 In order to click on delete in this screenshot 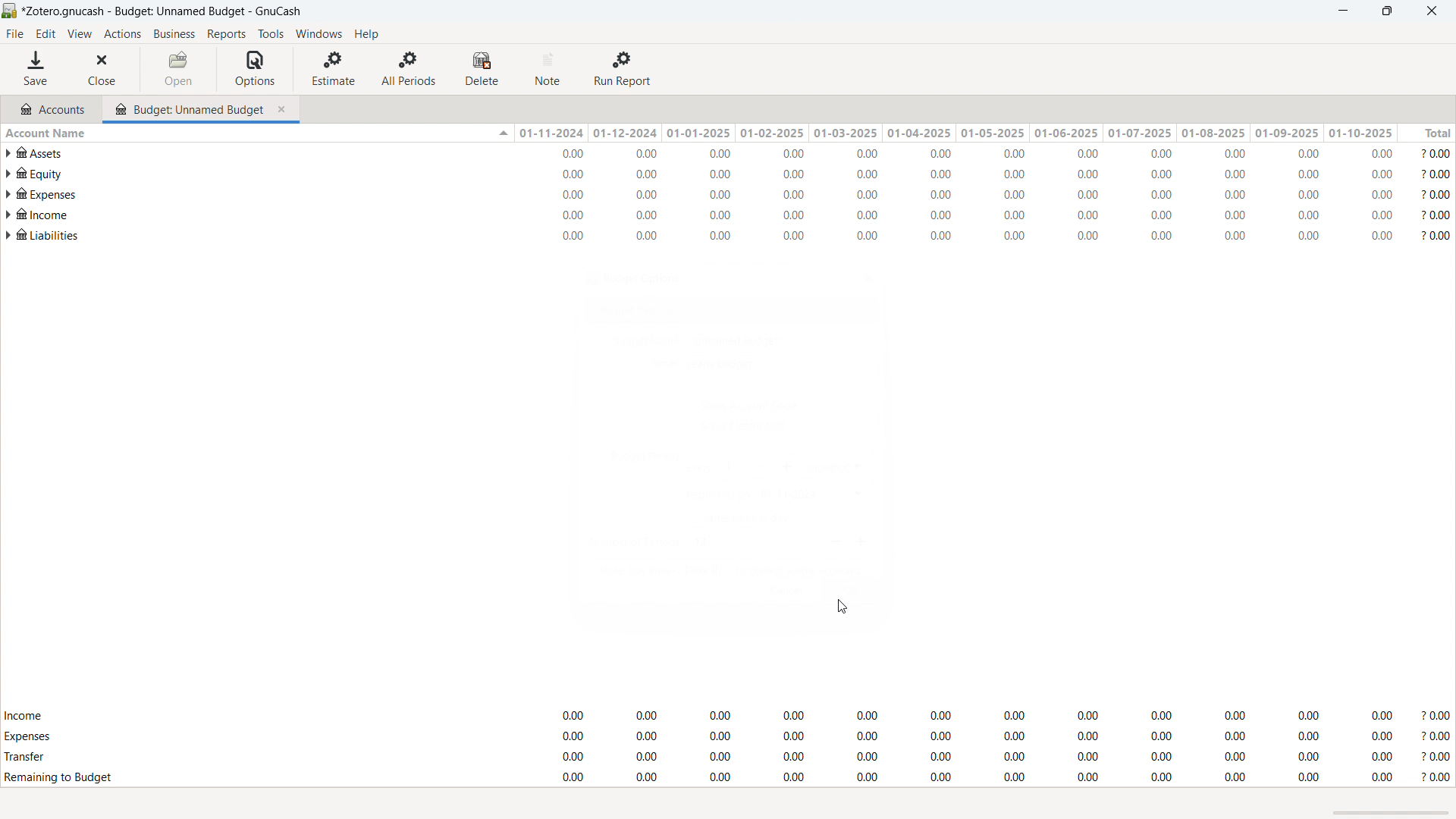, I will do `click(485, 69)`.